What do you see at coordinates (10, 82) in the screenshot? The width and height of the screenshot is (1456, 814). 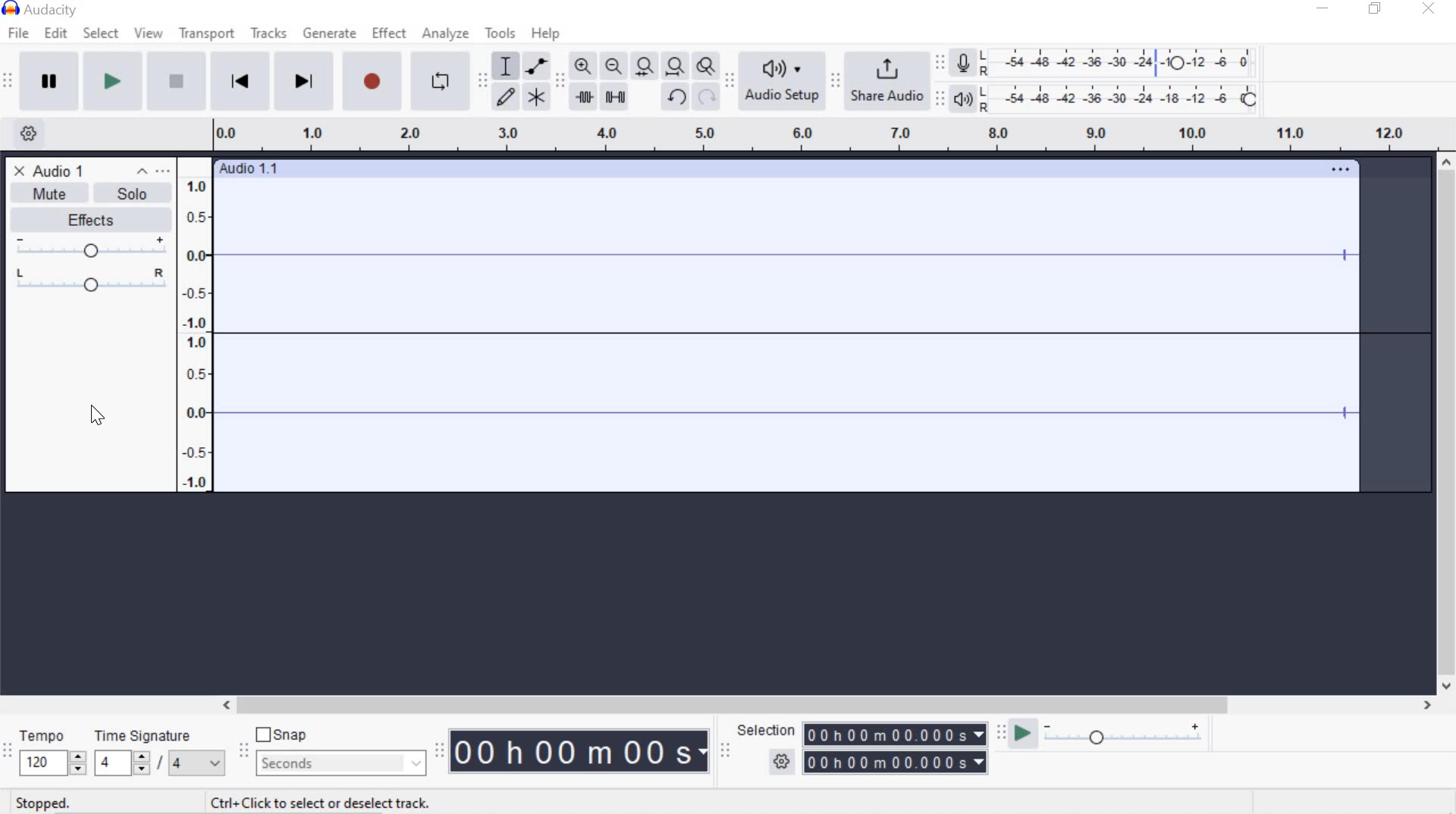 I see `Transport Toolbar` at bounding box center [10, 82].